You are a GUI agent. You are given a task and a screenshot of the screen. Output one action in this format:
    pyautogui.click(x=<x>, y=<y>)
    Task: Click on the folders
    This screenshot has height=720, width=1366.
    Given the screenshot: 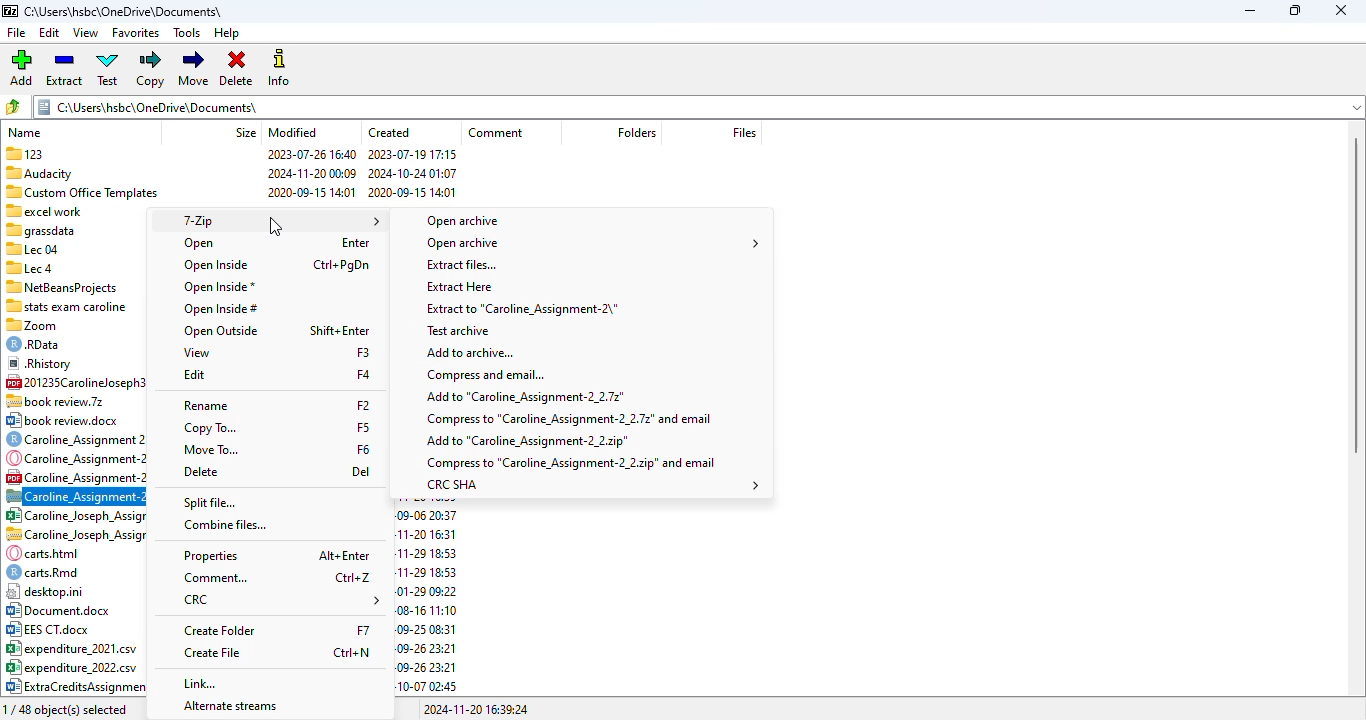 What is the action you would take?
    pyautogui.click(x=635, y=133)
    